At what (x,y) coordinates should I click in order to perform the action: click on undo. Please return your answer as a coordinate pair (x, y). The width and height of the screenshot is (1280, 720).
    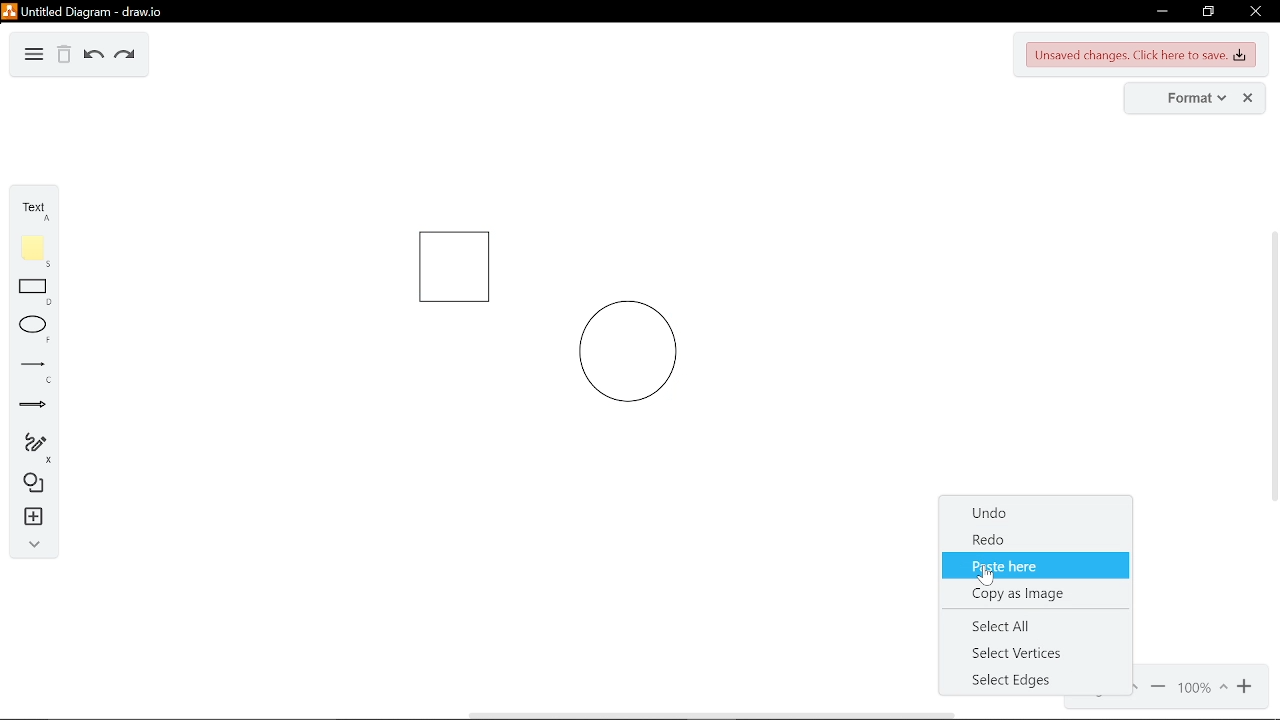
    Looking at the image, I should click on (1037, 515).